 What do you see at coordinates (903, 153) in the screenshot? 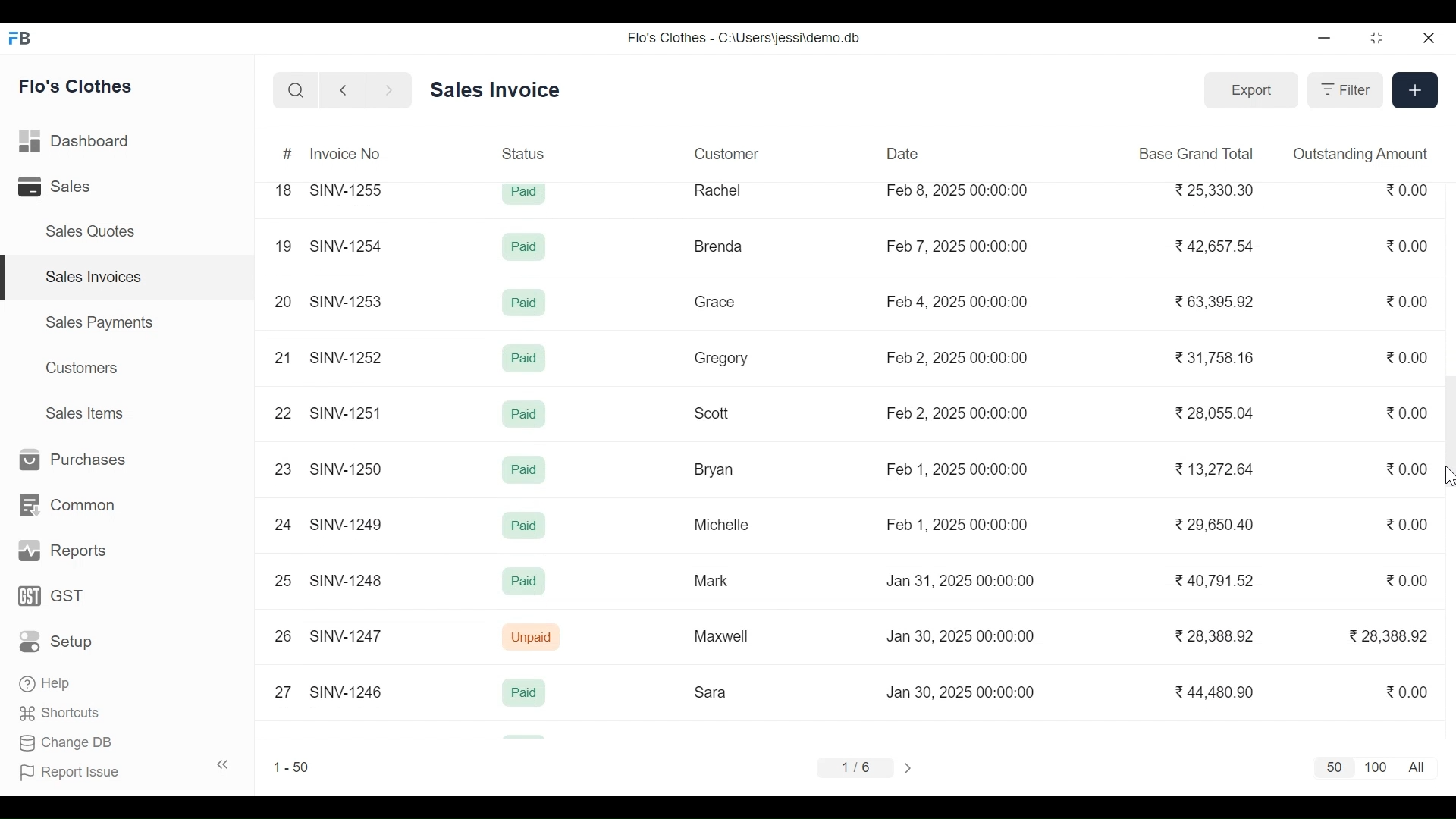
I see `Date` at bounding box center [903, 153].